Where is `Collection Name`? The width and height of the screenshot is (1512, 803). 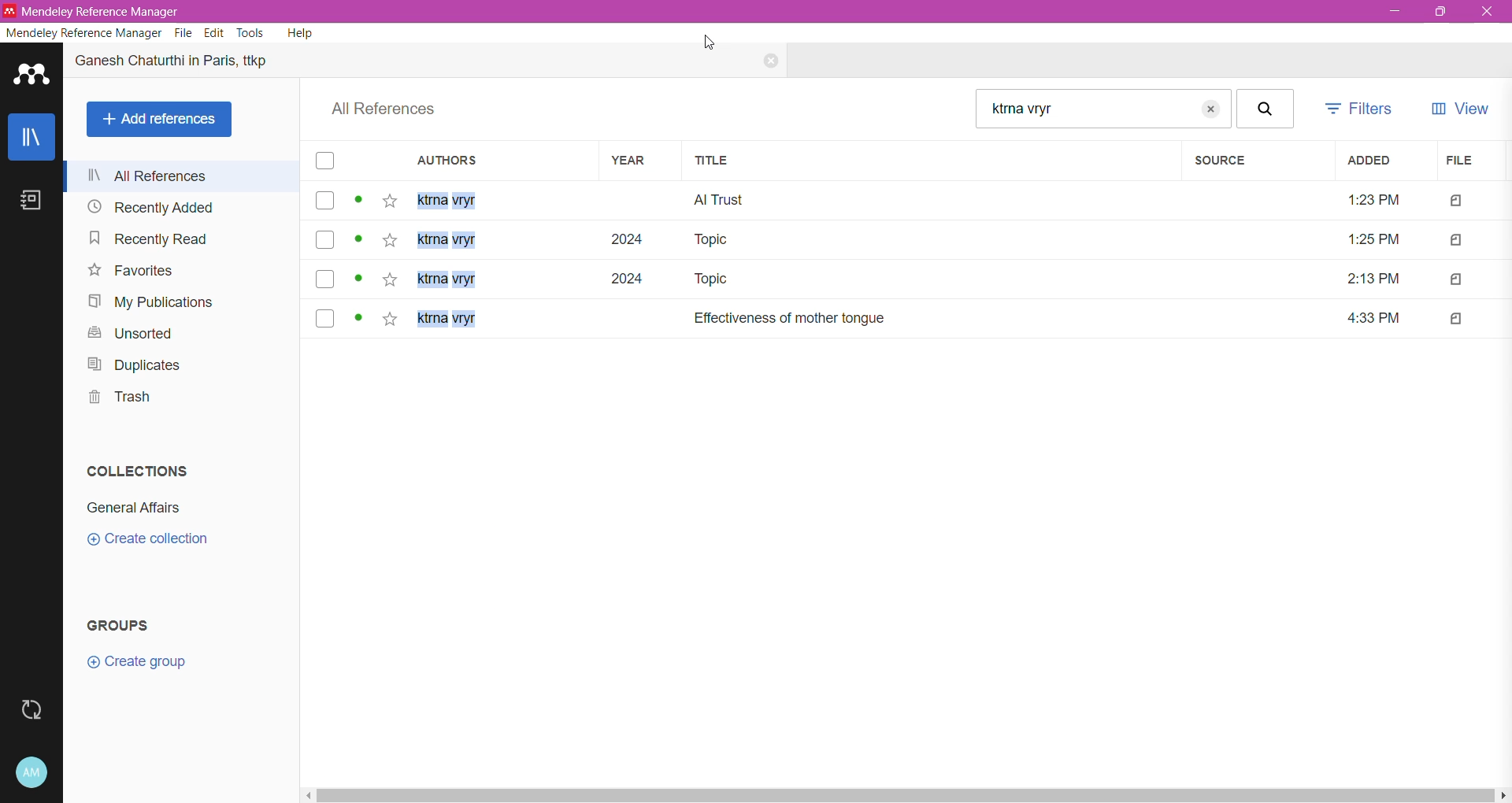 Collection Name is located at coordinates (133, 509).